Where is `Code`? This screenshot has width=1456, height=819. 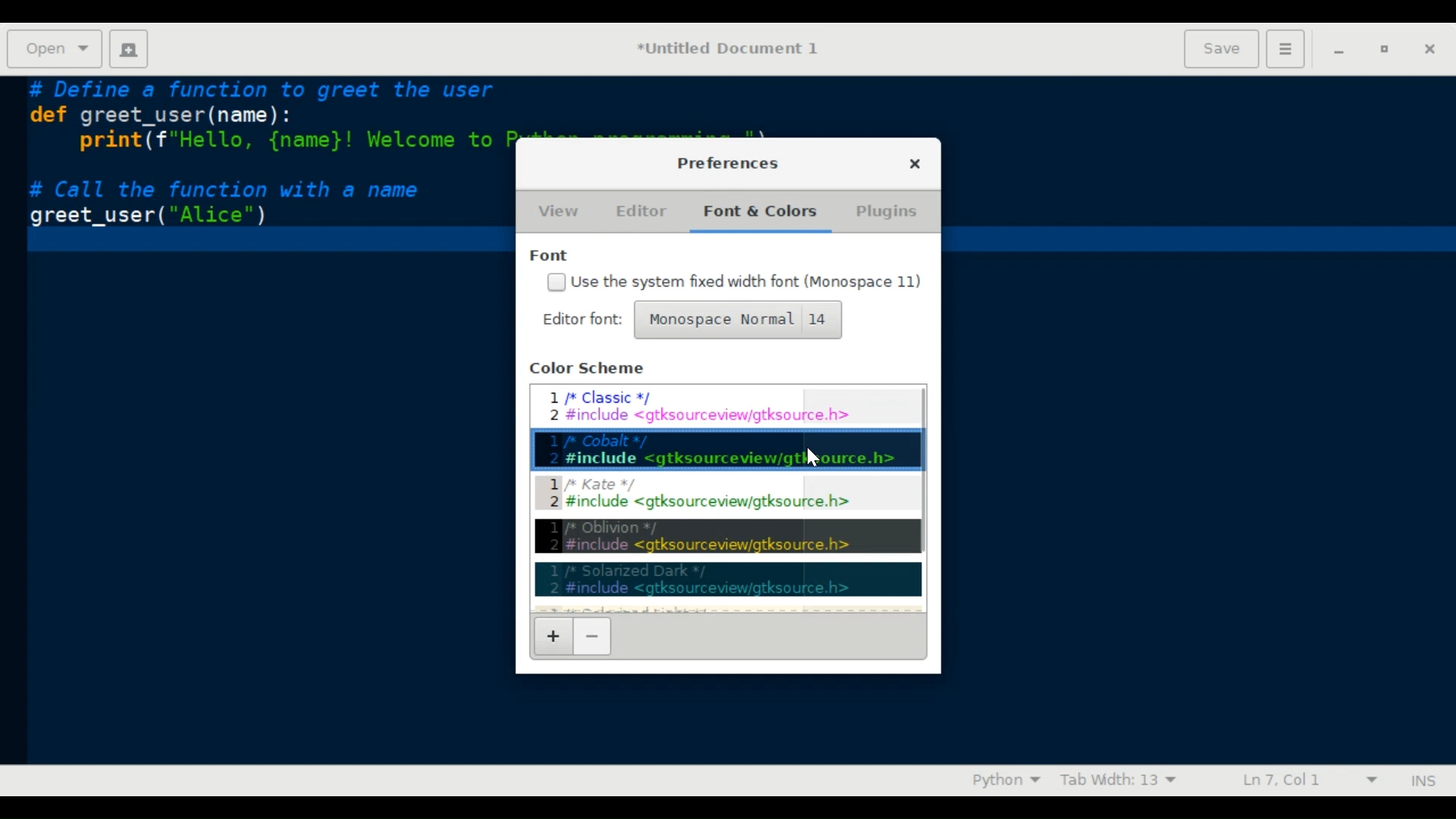 Code is located at coordinates (256, 170).